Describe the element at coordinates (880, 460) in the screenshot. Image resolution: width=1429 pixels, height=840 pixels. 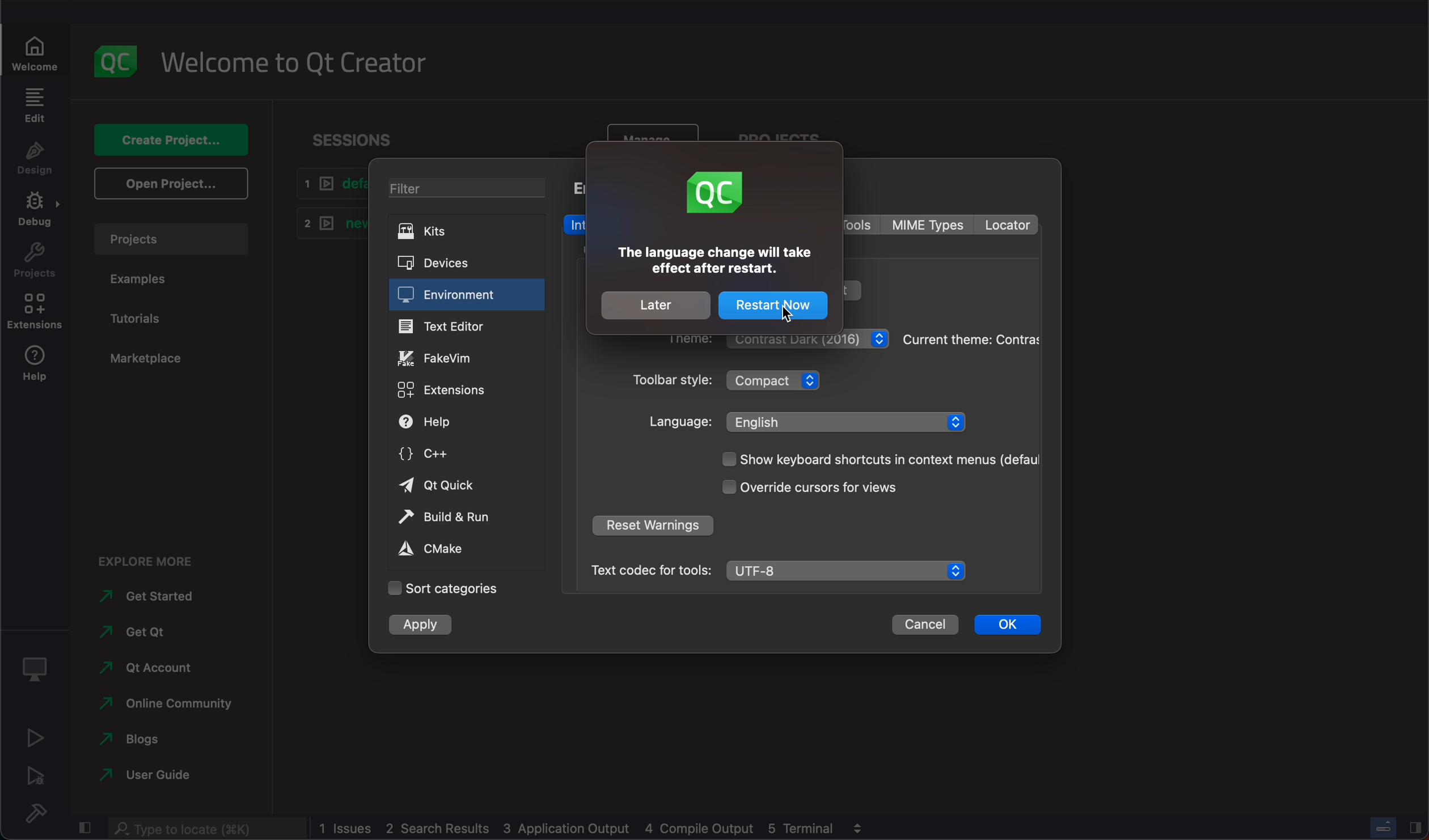
I see `show context menu` at that location.